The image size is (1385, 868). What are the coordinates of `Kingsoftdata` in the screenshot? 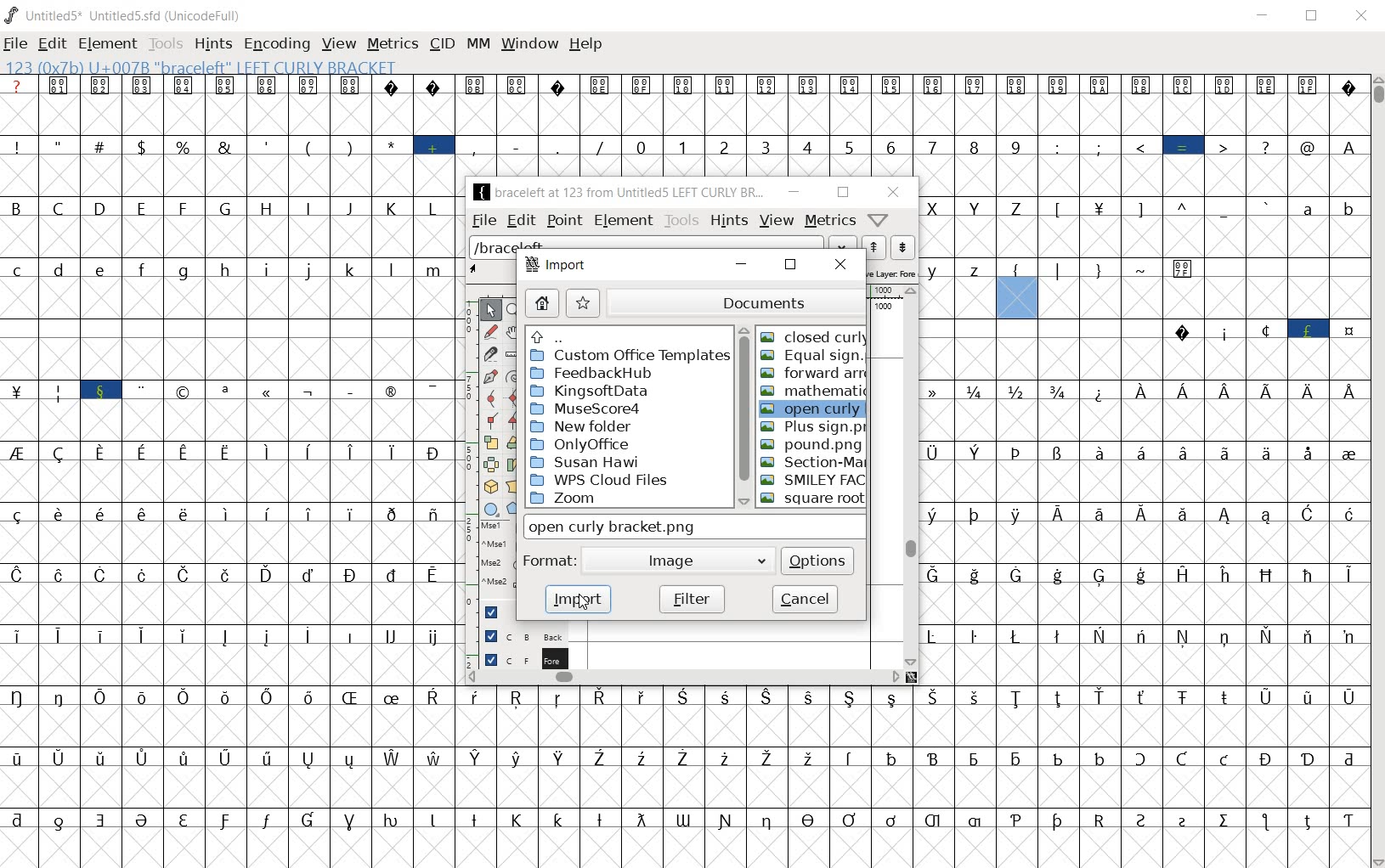 It's located at (591, 390).